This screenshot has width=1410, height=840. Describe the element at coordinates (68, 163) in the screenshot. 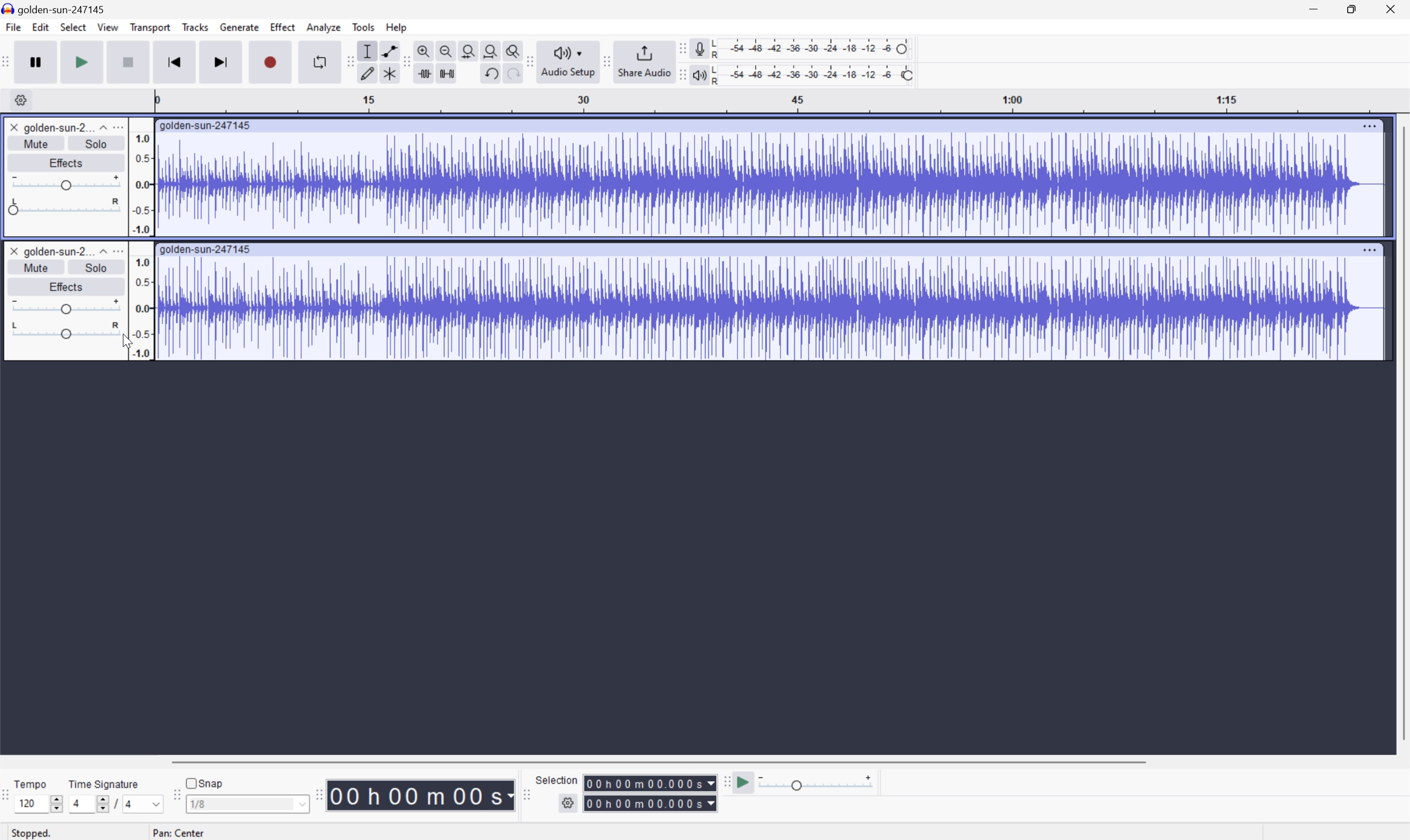

I see `Effects` at that location.